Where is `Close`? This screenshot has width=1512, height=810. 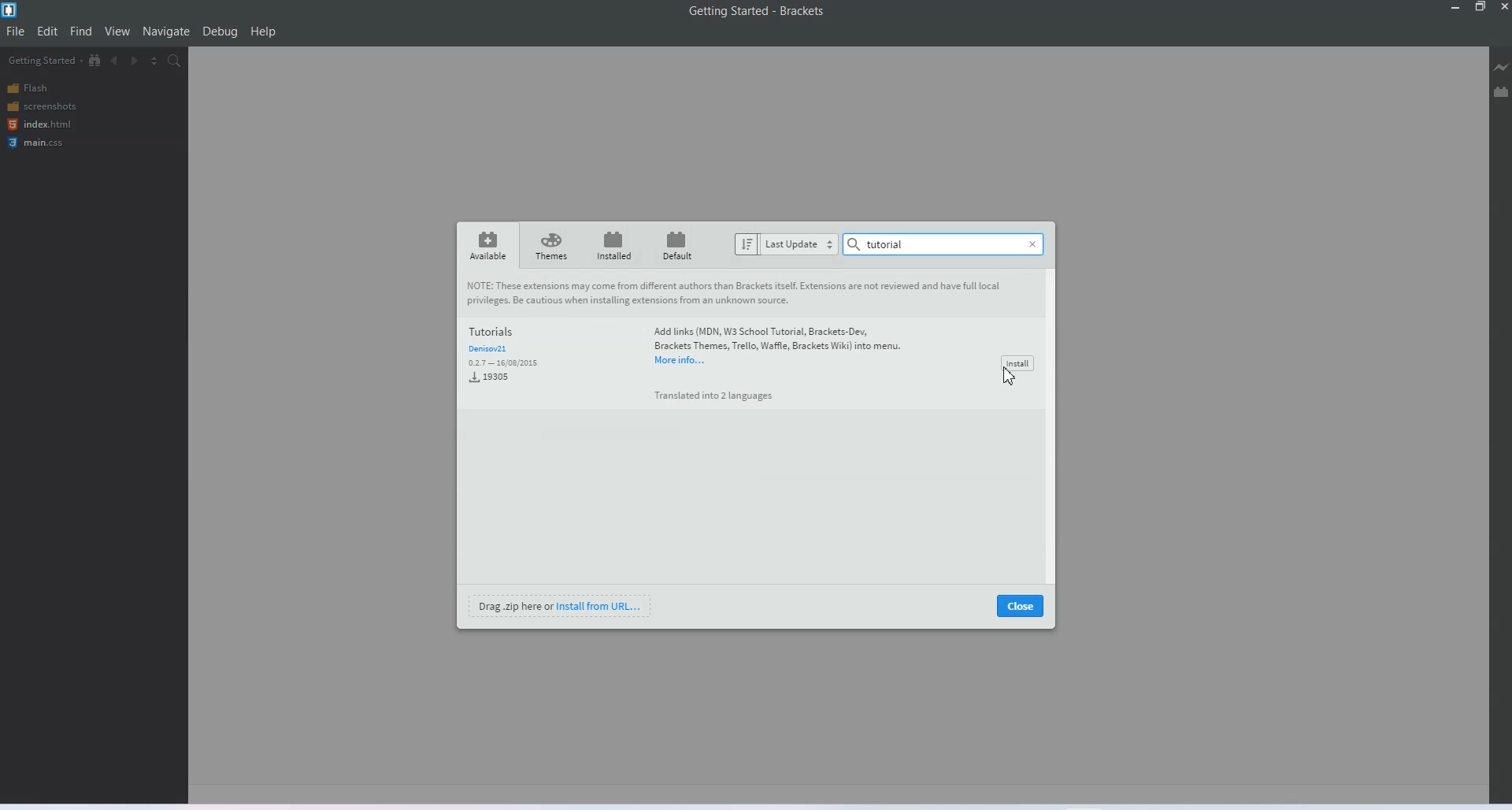
Close is located at coordinates (1032, 244).